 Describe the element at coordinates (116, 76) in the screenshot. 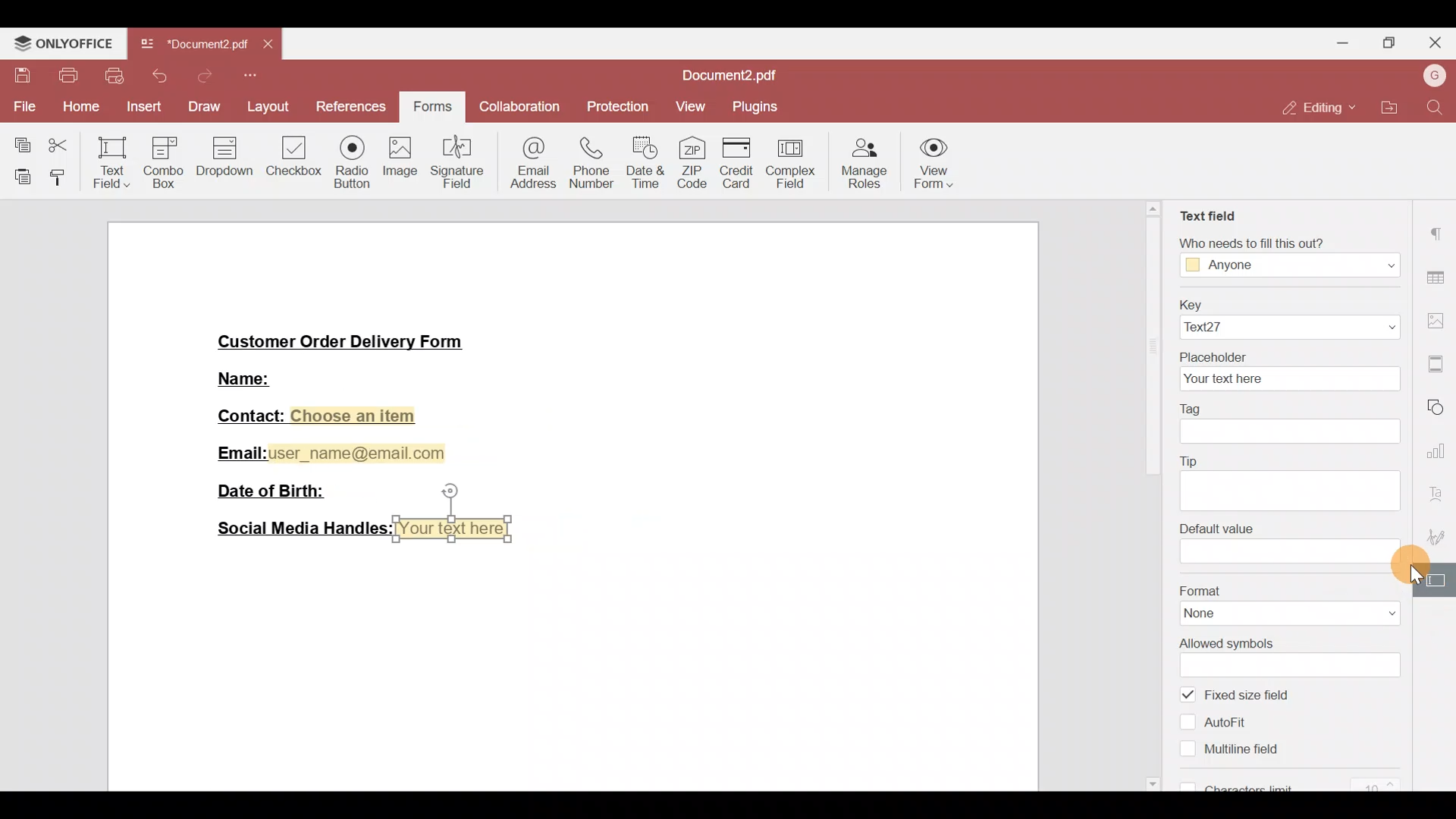

I see `Quick print` at that location.